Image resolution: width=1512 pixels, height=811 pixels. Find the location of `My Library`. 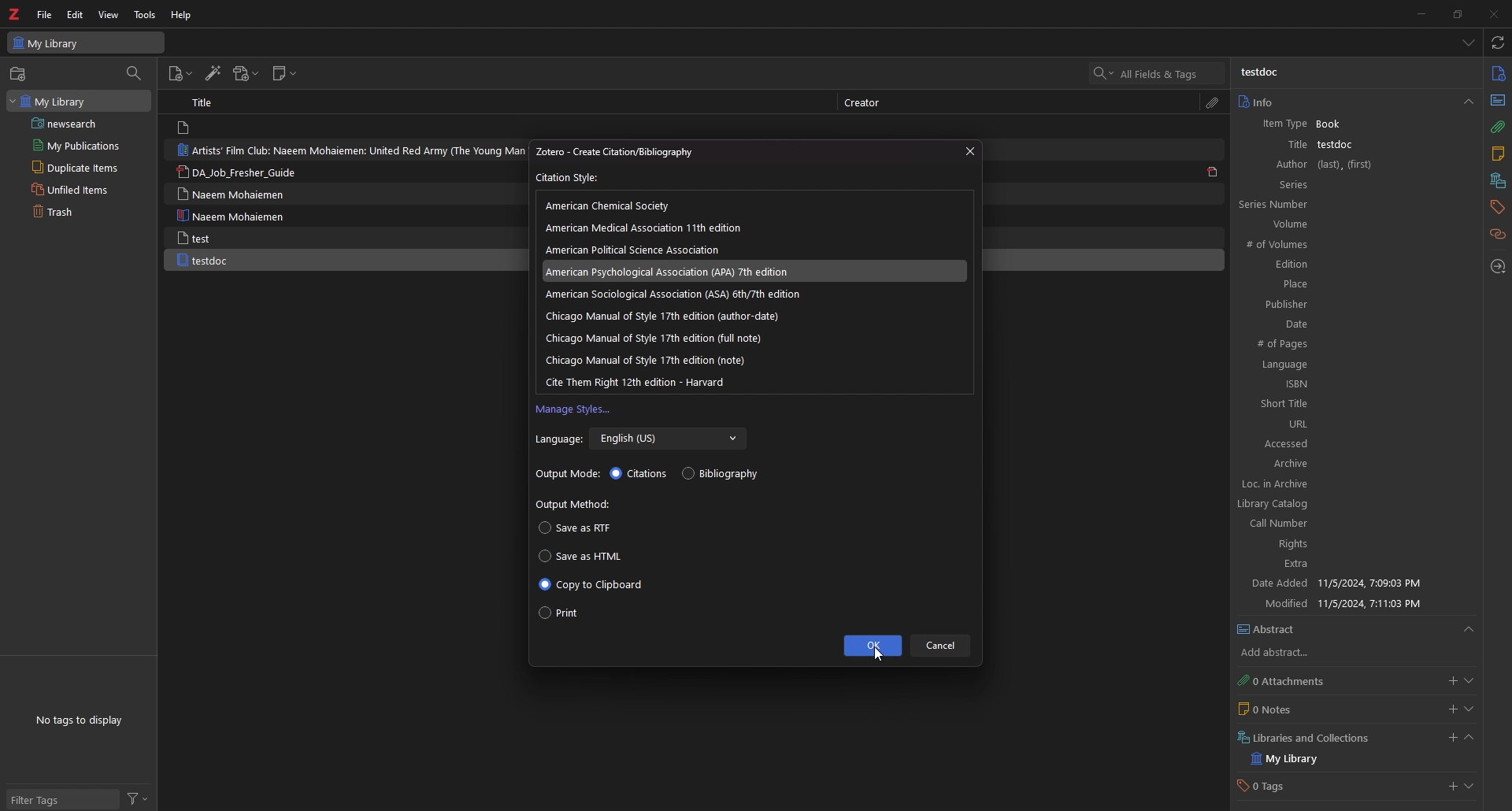

My Library is located at coordinates (86, 42).